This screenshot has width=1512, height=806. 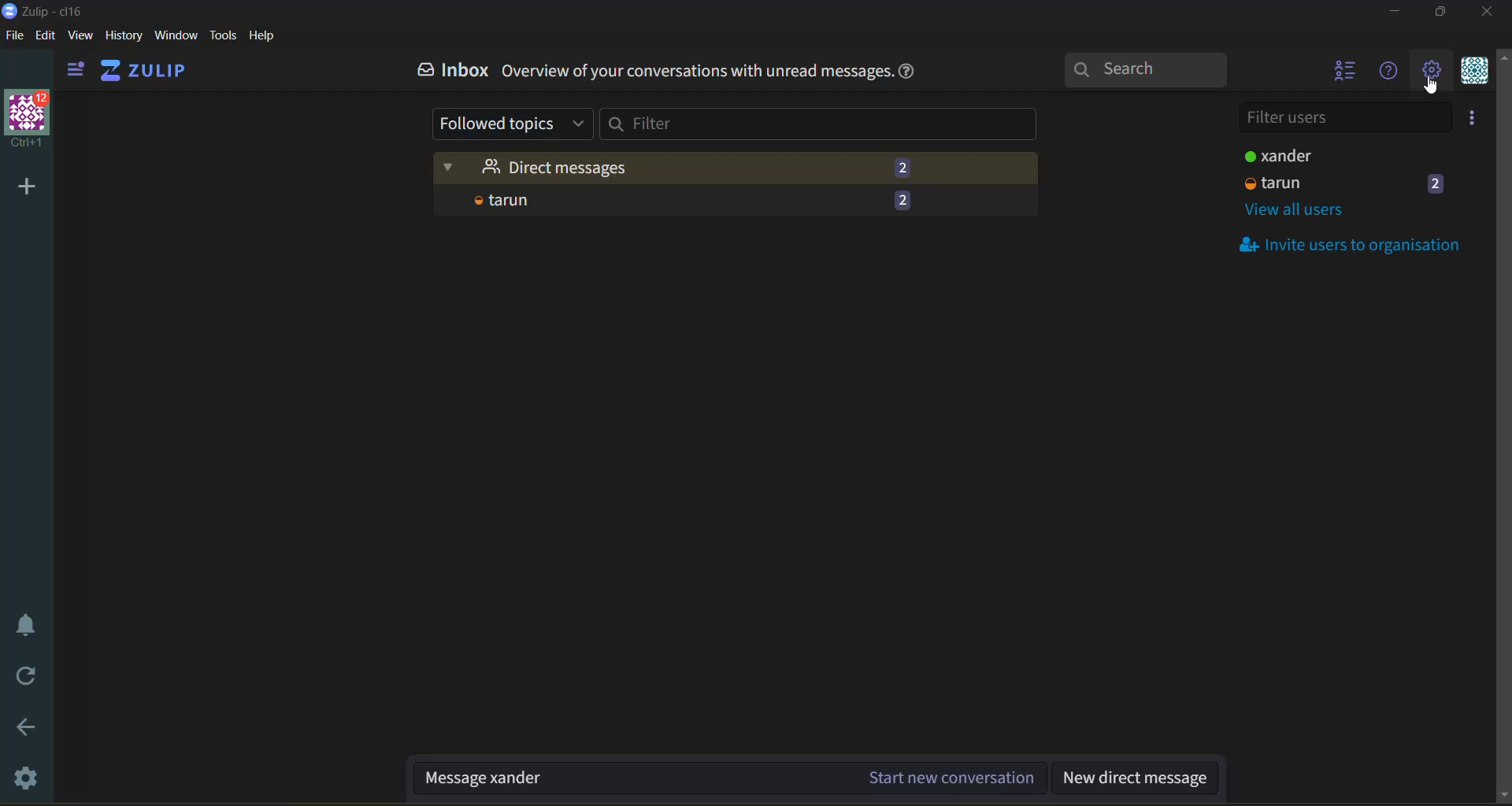 What do you see at coordinates (647, 70) in the screenshot?
I see `Inbox Overview of your conversations with unread message:` at bounding box center [647, 70].